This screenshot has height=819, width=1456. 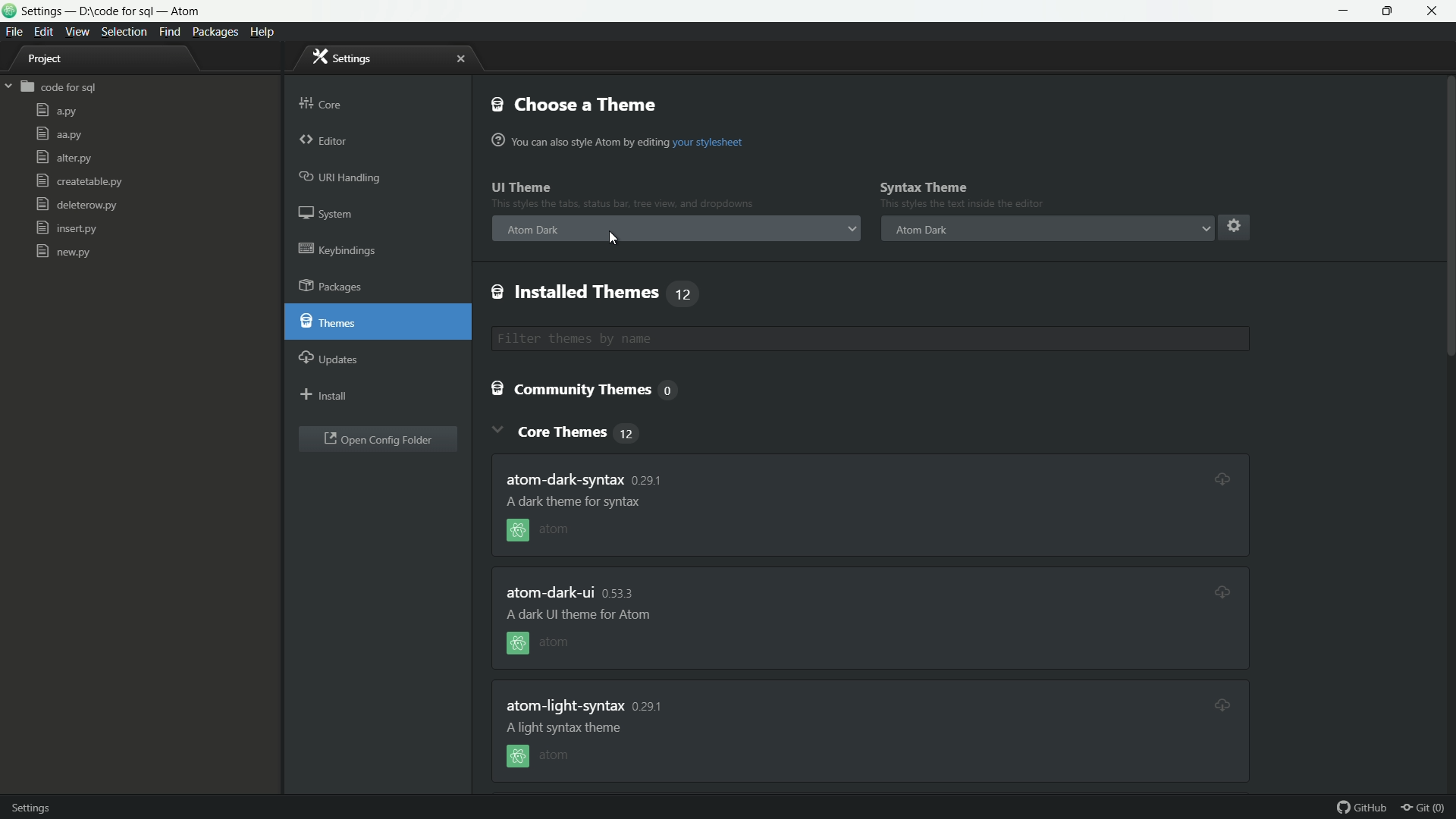 I want to click on alter.py file, so click(x=62, y=158).